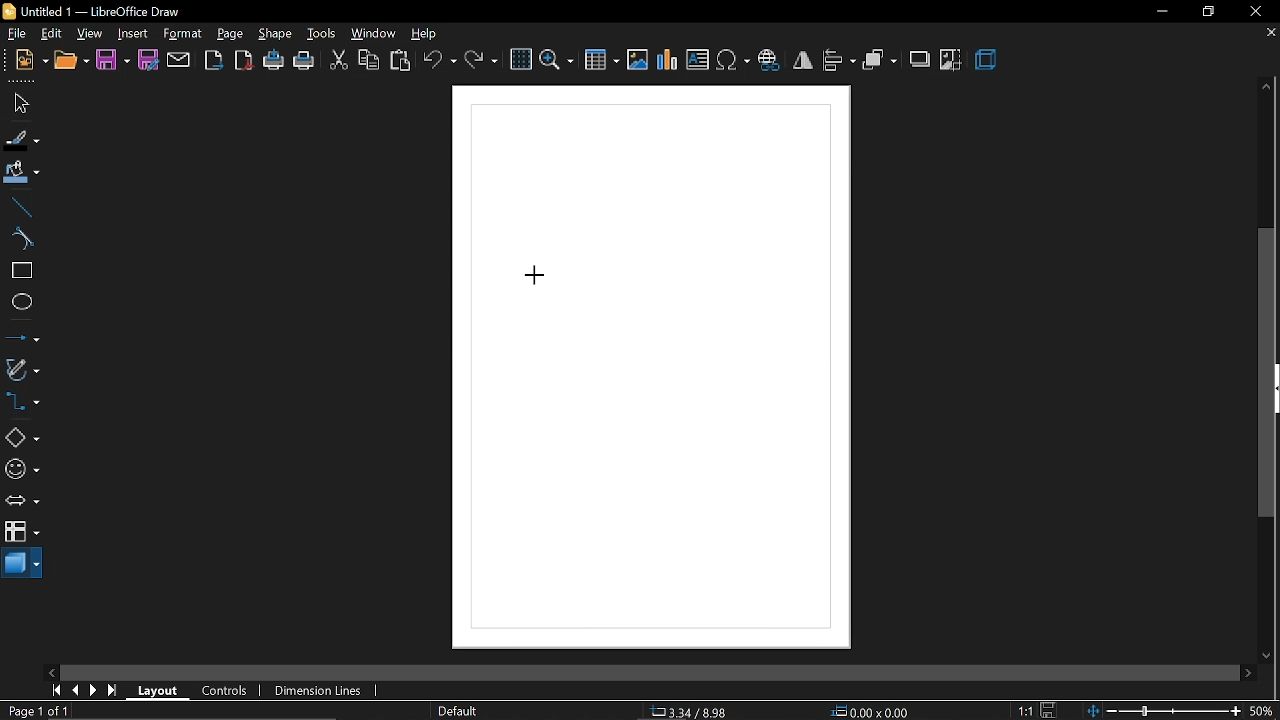 This screenshot has width=1280, height=720. Describe the element at coordinates (39, 712) in the screenshot. I see `current page` at that location.